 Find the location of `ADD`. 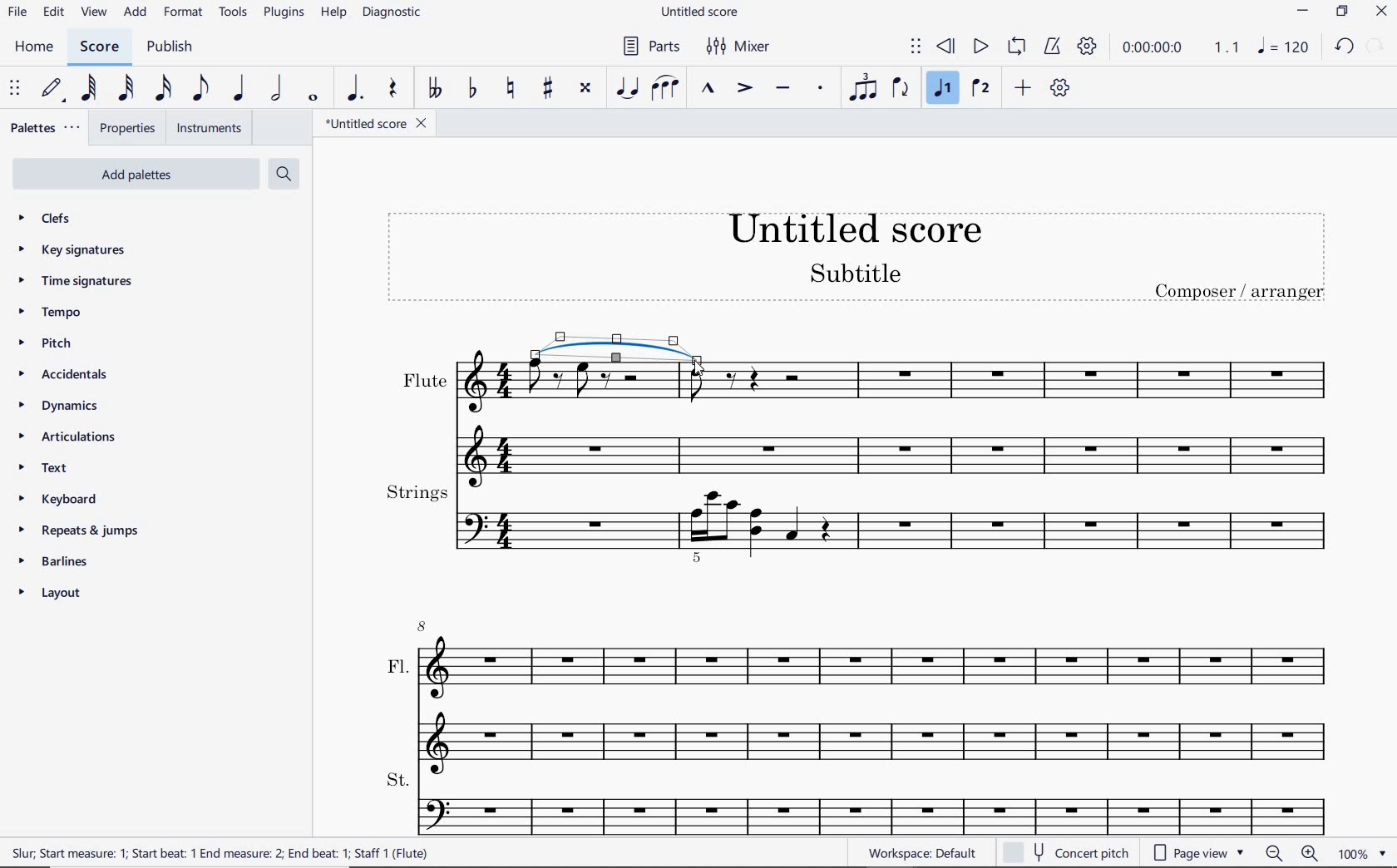

ADD is located at coordinates (1022, 89).